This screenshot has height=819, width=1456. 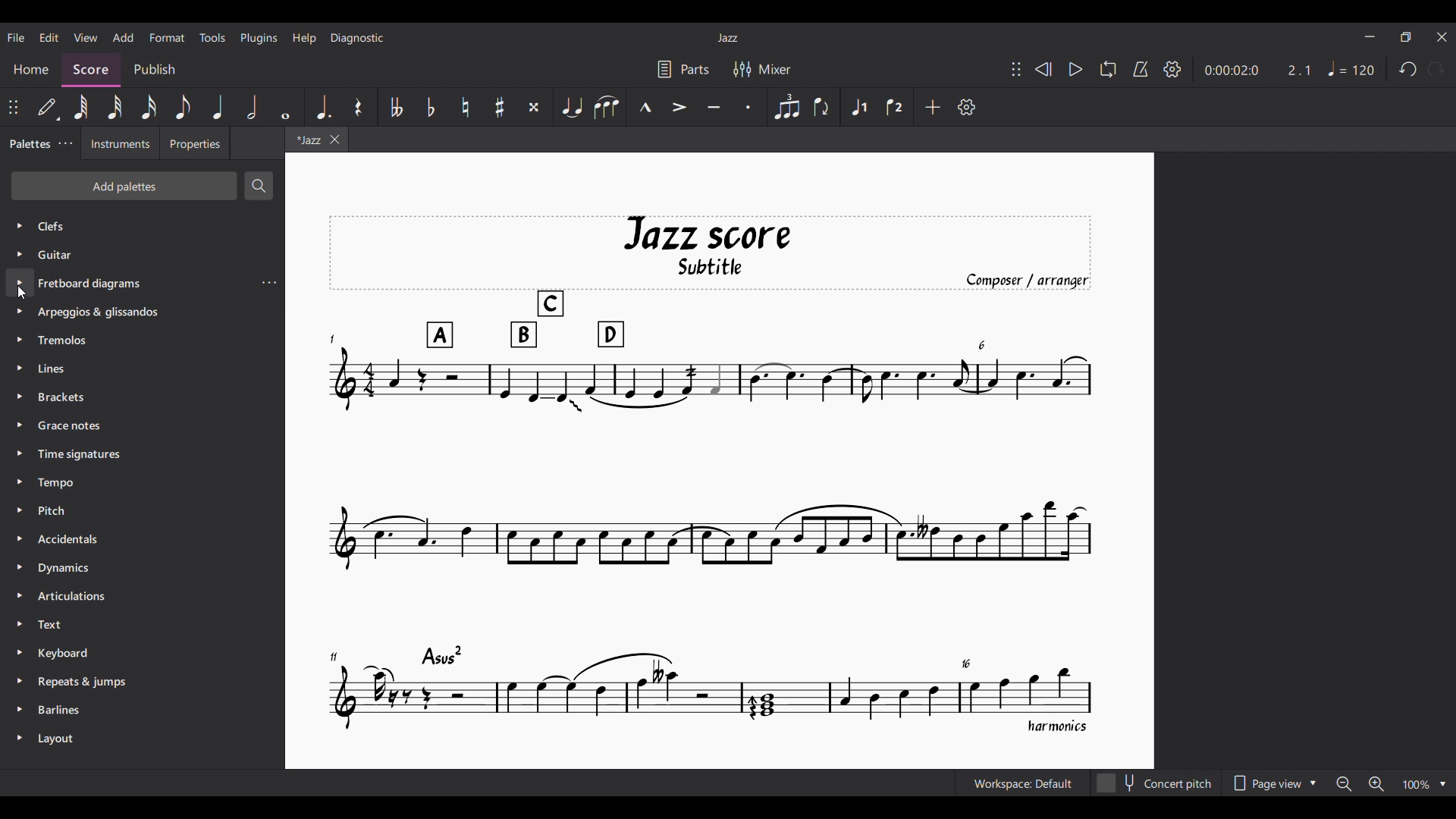 What do you see at coordinates (306, 139) in the screenshot?
I see `Current tab` at bounding box center [306, 139].